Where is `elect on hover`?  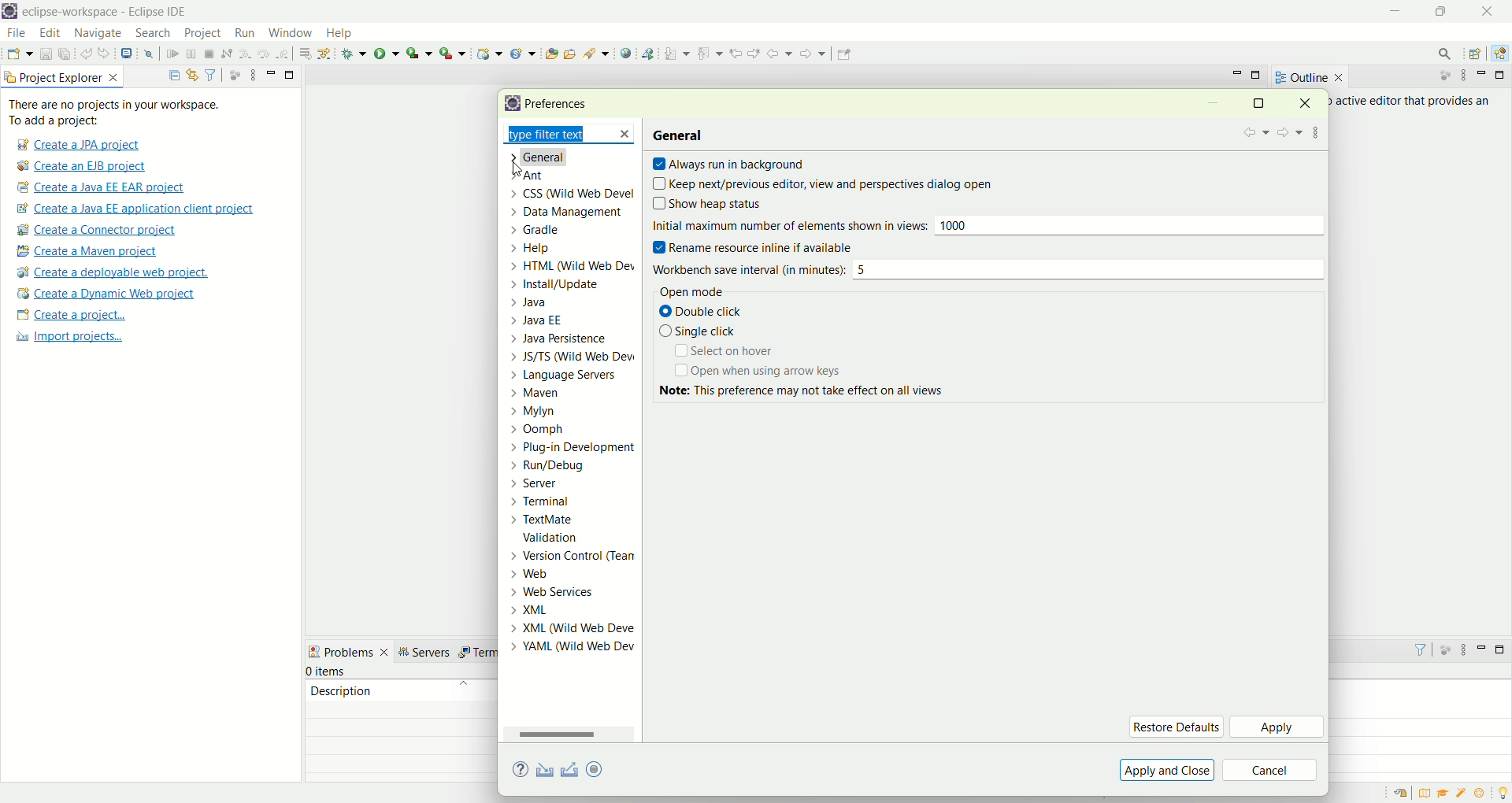 elect on hover is located at coordinates (722, 351).